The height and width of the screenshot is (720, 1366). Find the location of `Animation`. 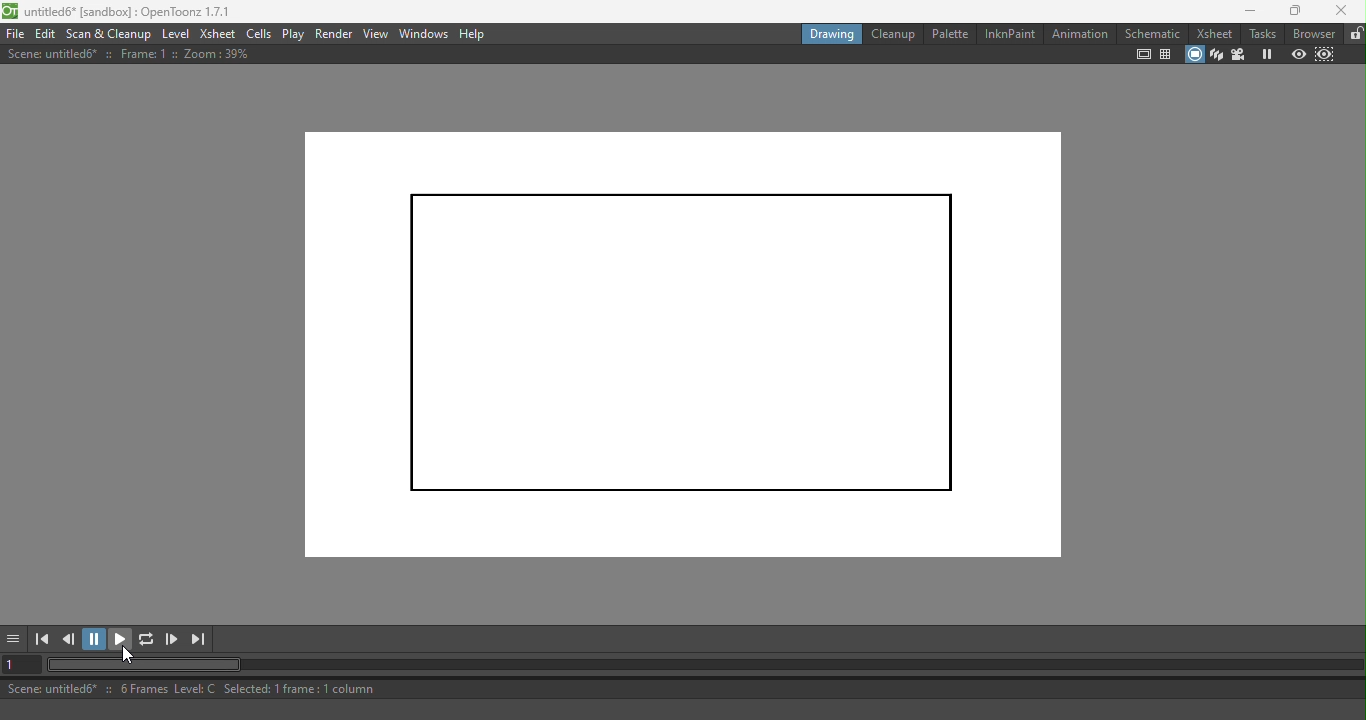

Animation is located at coordinates (1083, 35).